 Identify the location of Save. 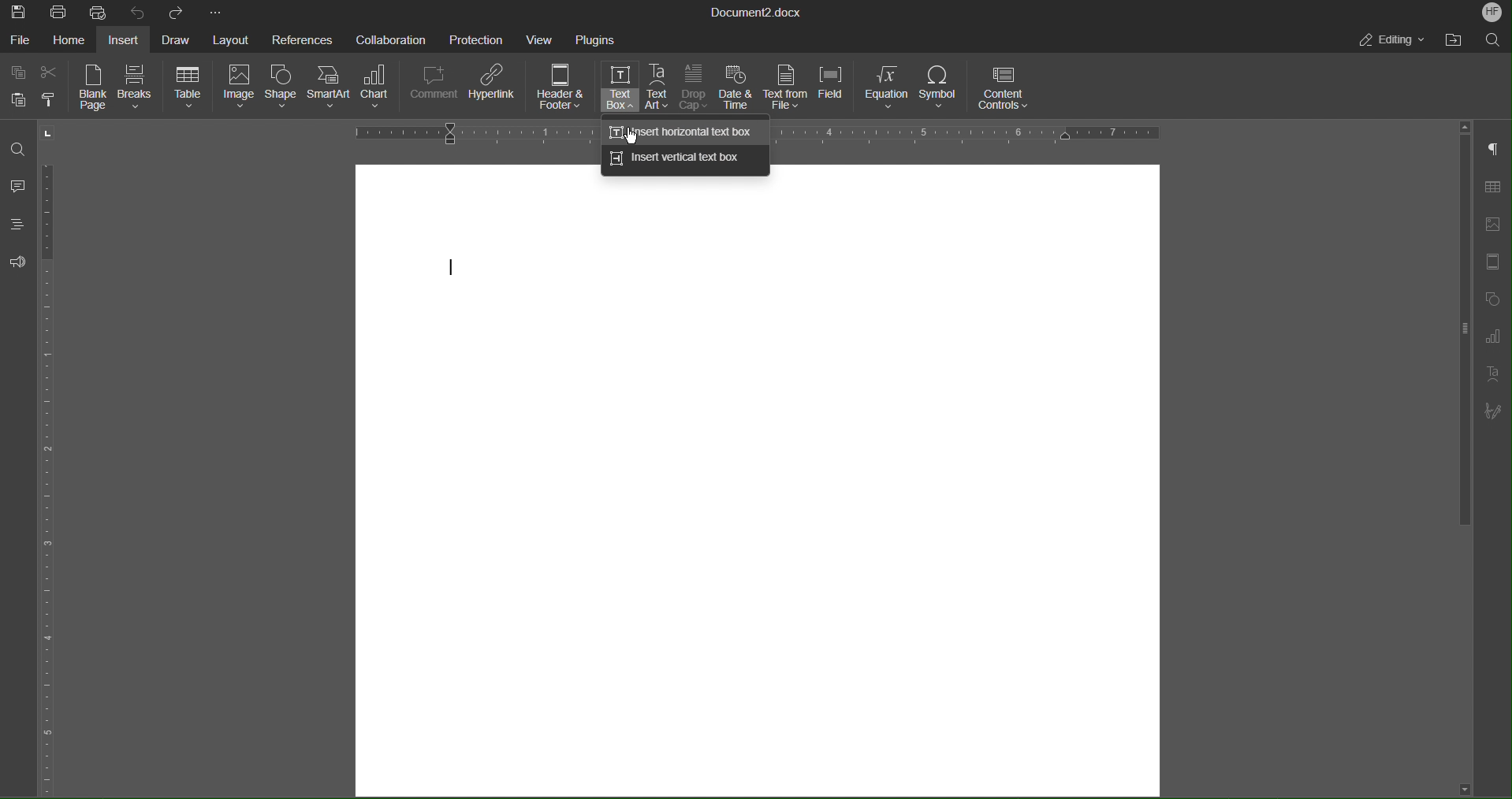
(20, 11).